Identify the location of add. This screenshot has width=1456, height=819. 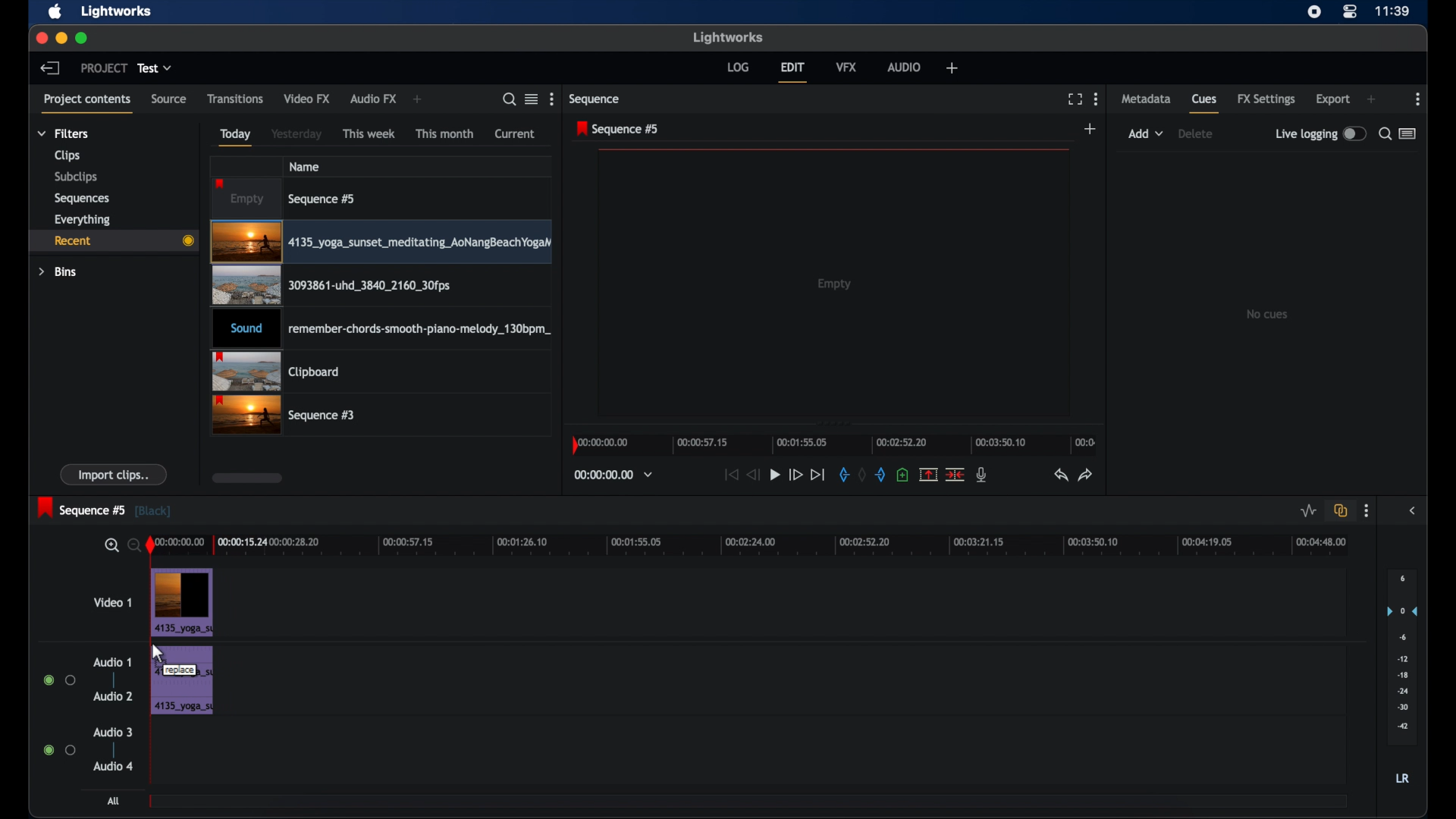
(1371, 99).